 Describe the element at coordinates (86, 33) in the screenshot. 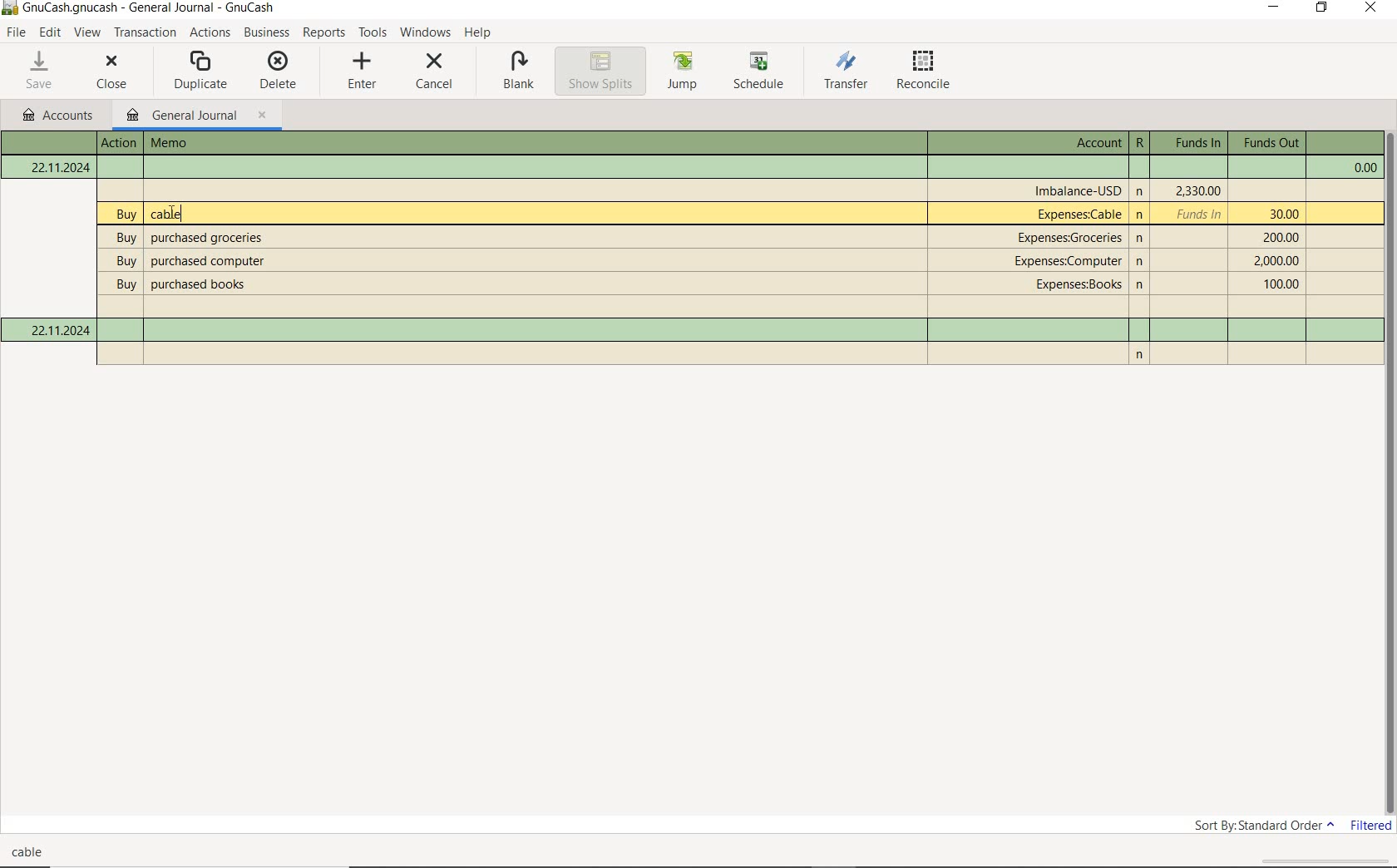

I see `VIEW` at that location.